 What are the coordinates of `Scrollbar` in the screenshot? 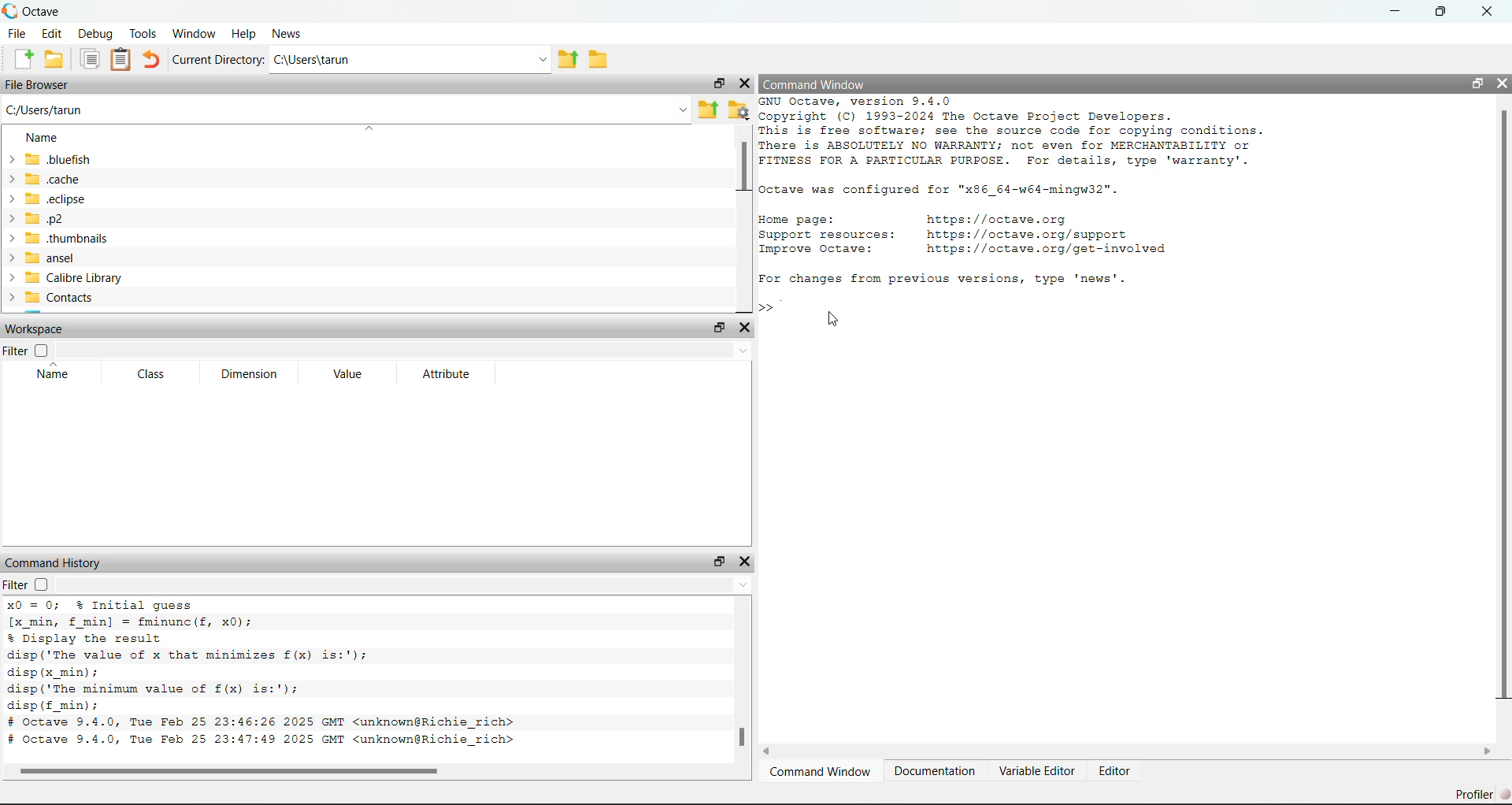 It's located at (1501, 408).